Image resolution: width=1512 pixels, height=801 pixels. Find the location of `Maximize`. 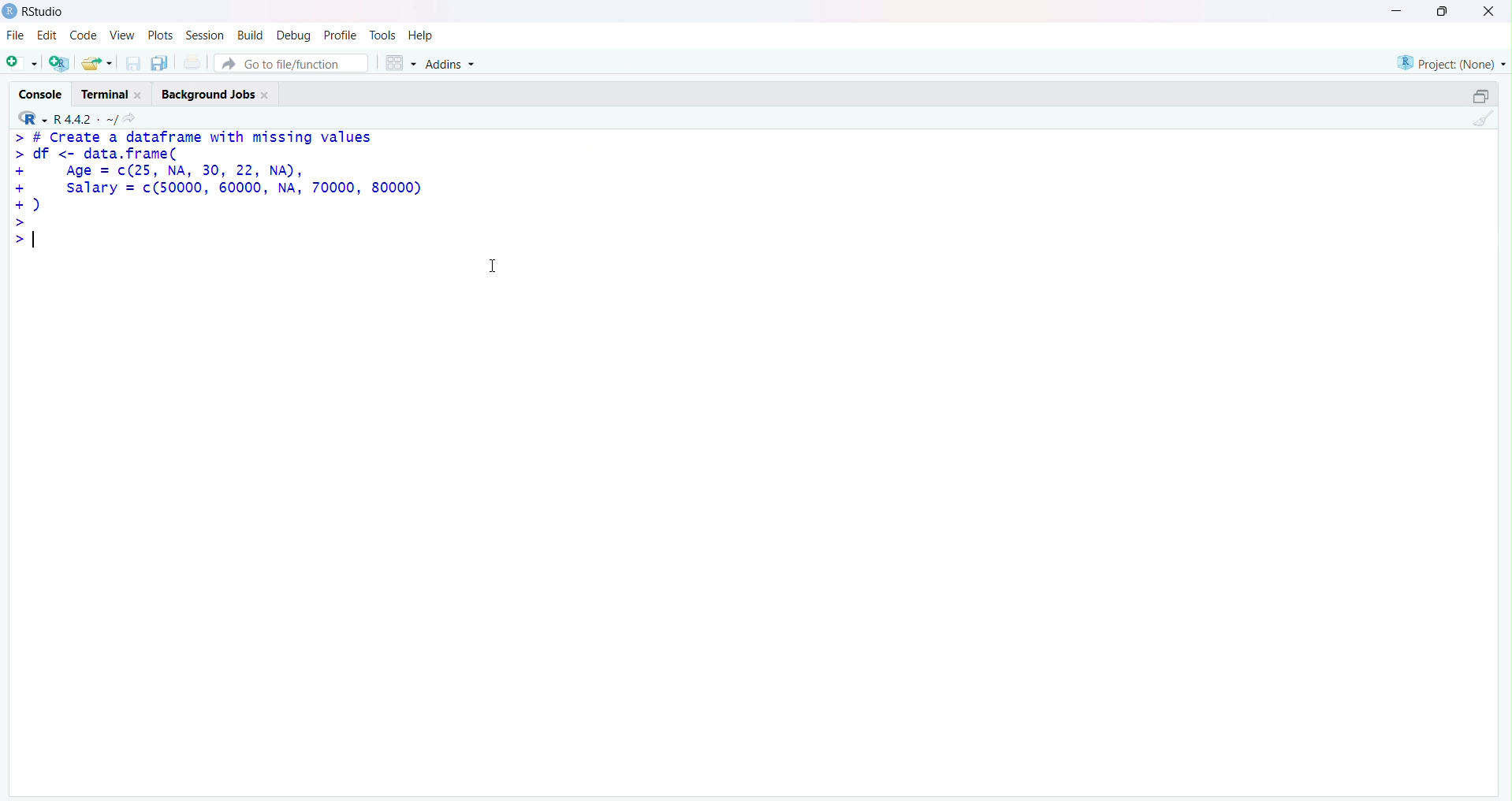

Maximize is located at coordinates (1445, 12).